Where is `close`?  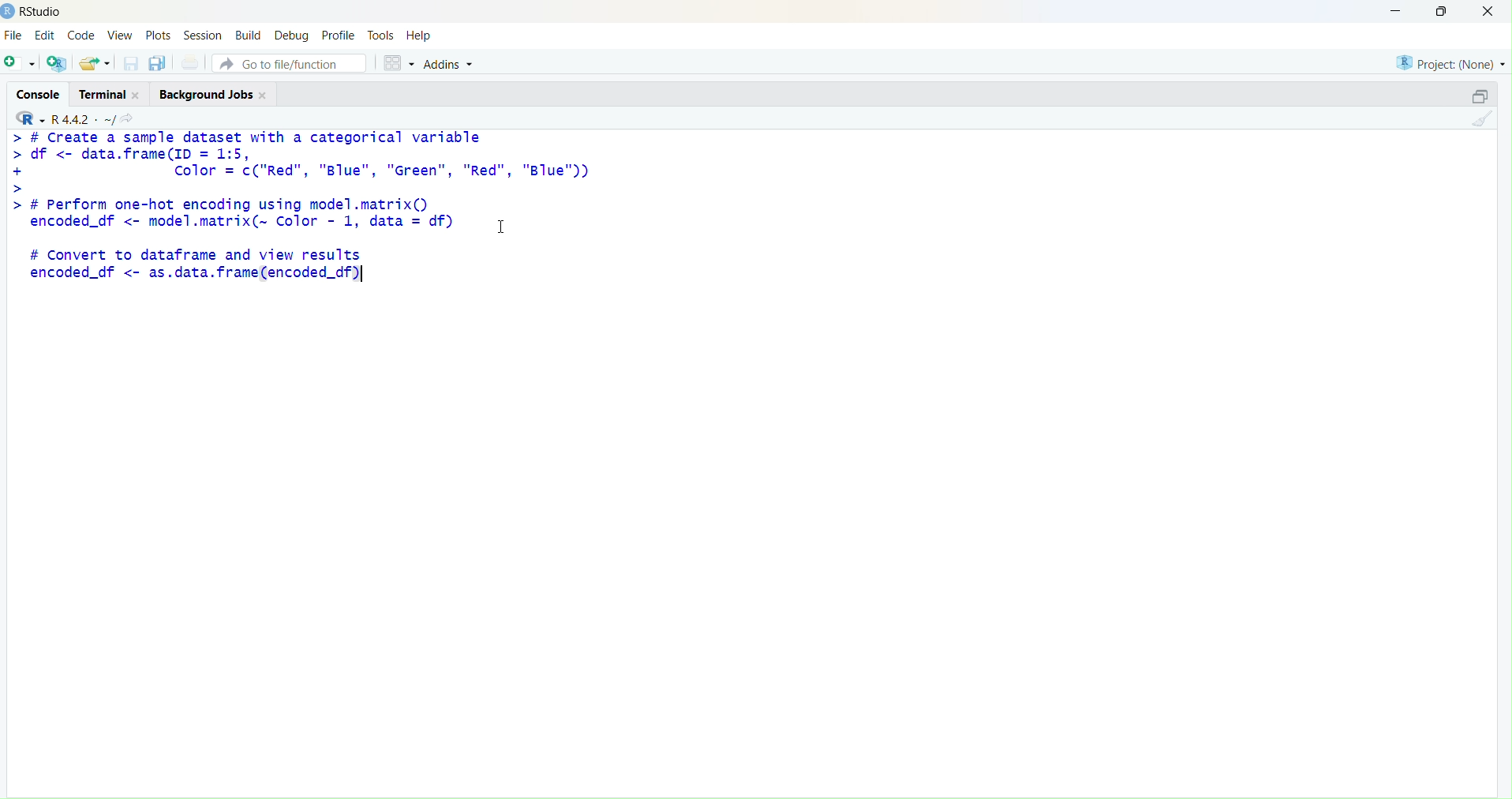
close is located at coordinates (137, 96).